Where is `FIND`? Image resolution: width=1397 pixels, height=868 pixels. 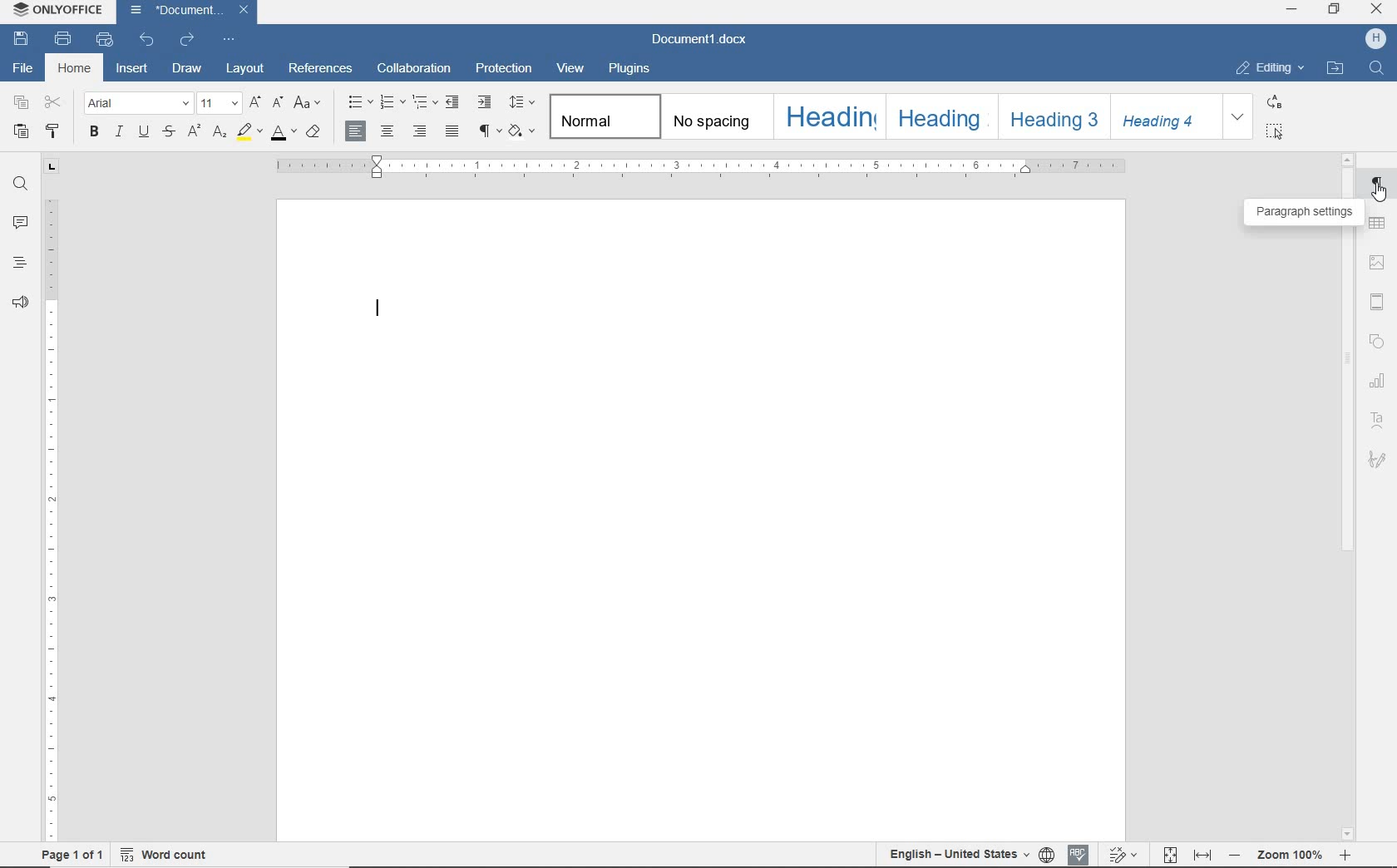
FIND is located at coordinates (1375, 72).